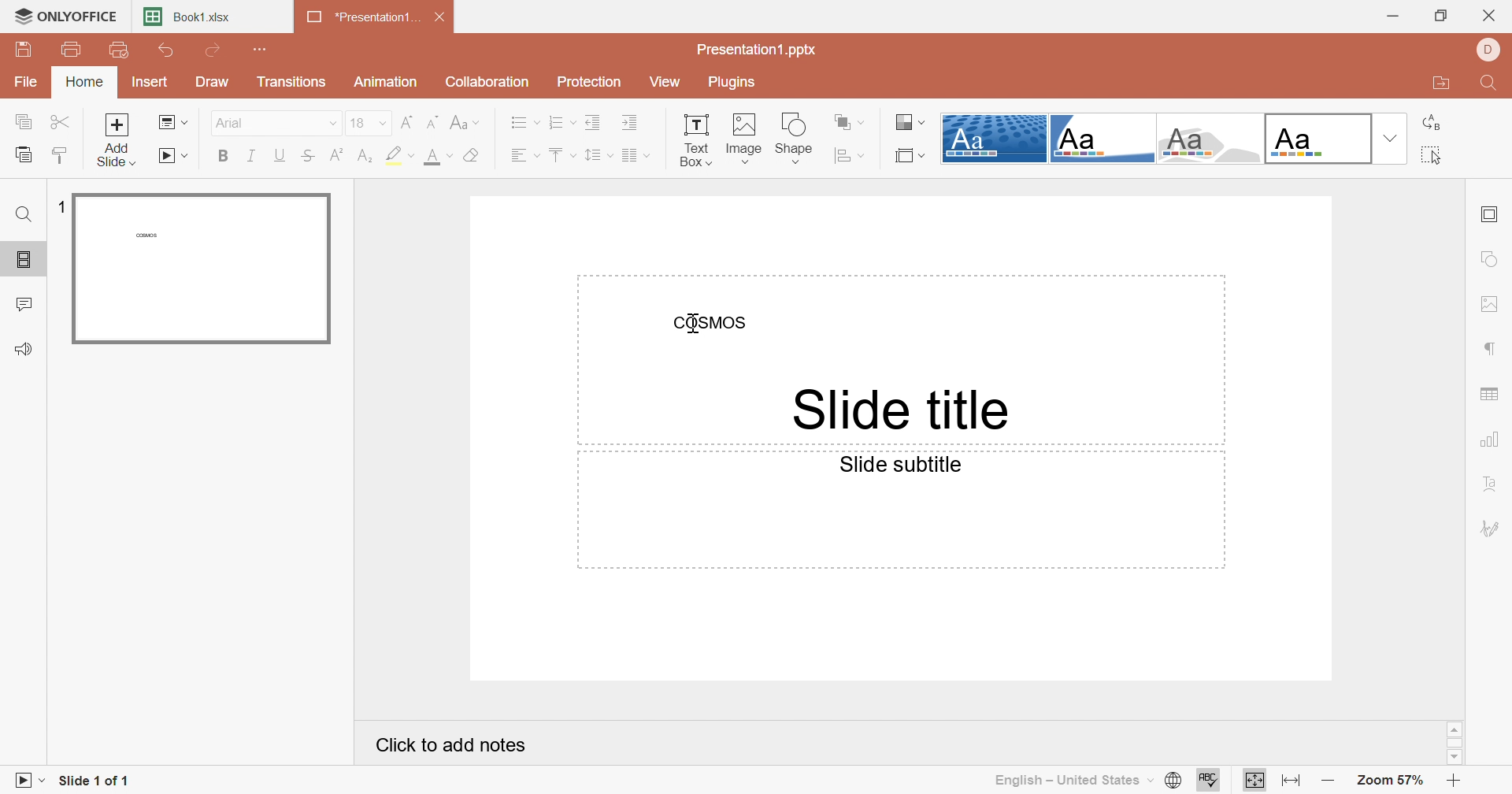 The image size is (1512, 794). I want to click on Zoom in, so click(1458, 779).